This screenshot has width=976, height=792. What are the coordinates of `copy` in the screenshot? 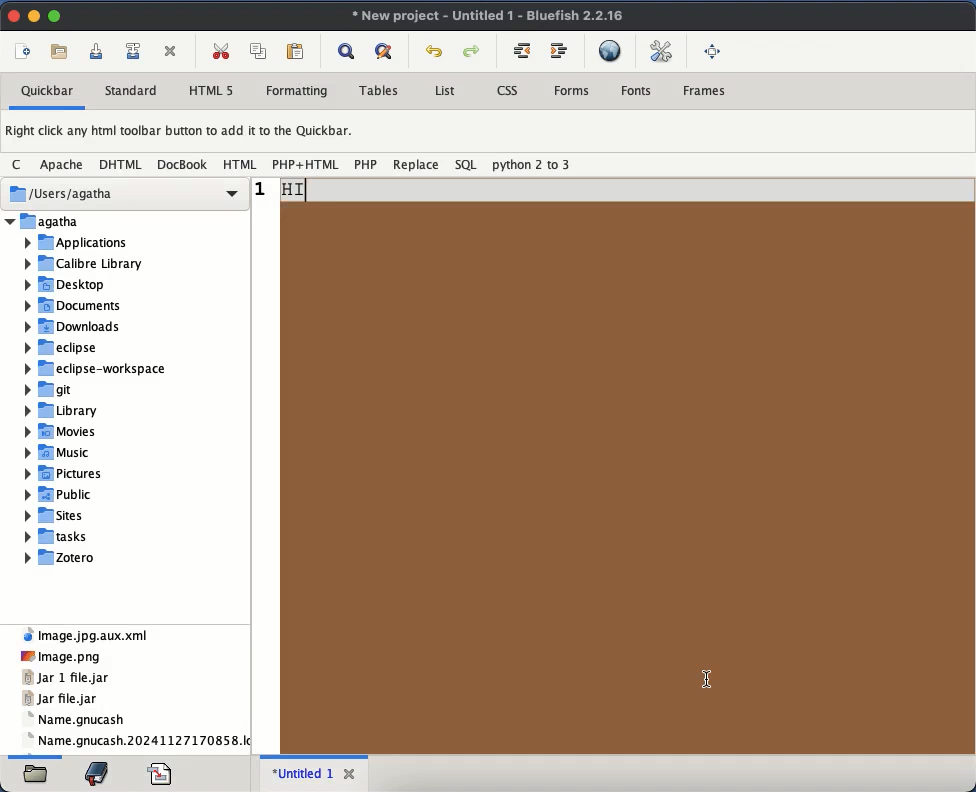 It's located at (261, 49).